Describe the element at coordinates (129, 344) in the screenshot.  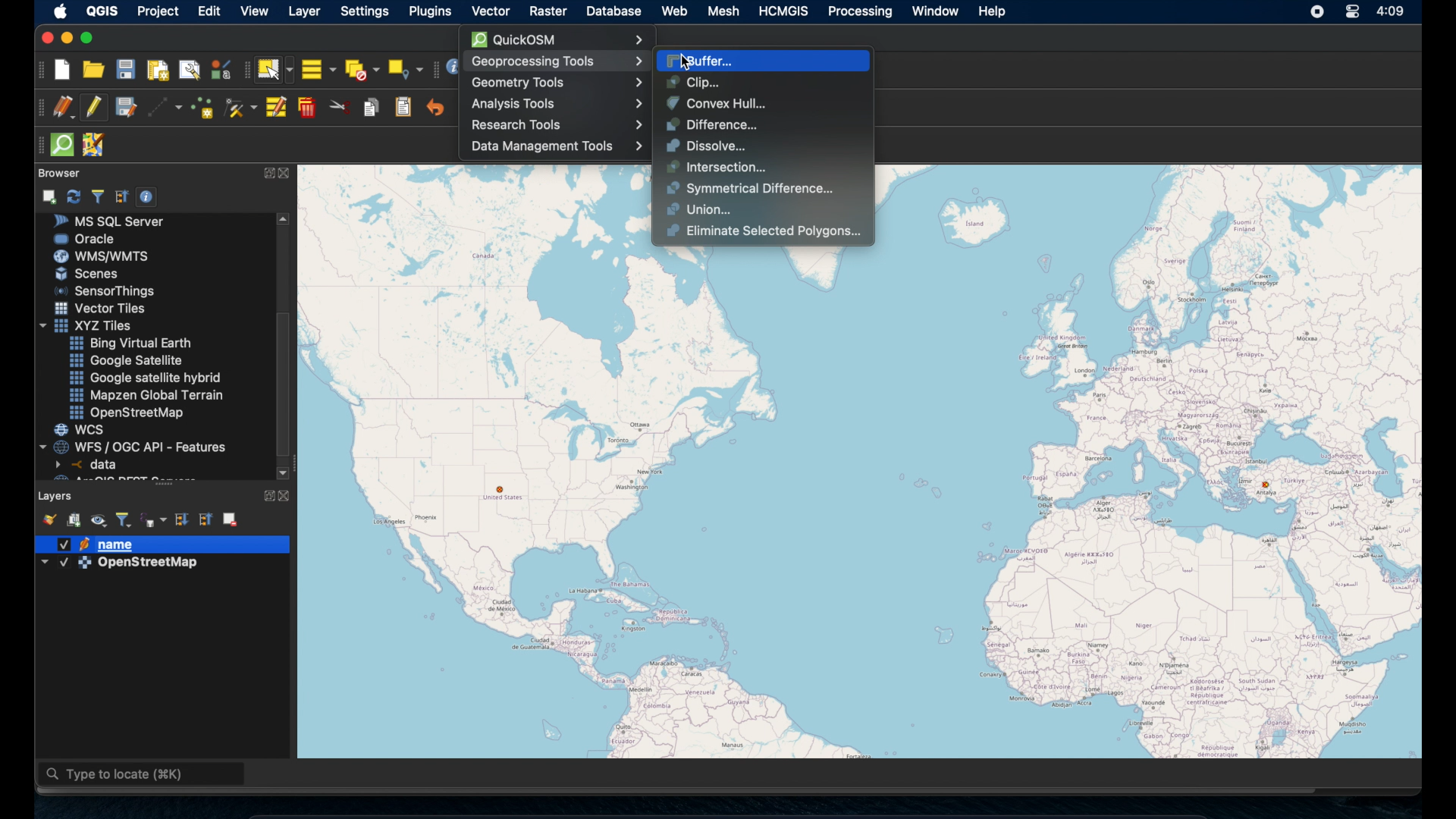
I see `bing virtual earth` at that location.